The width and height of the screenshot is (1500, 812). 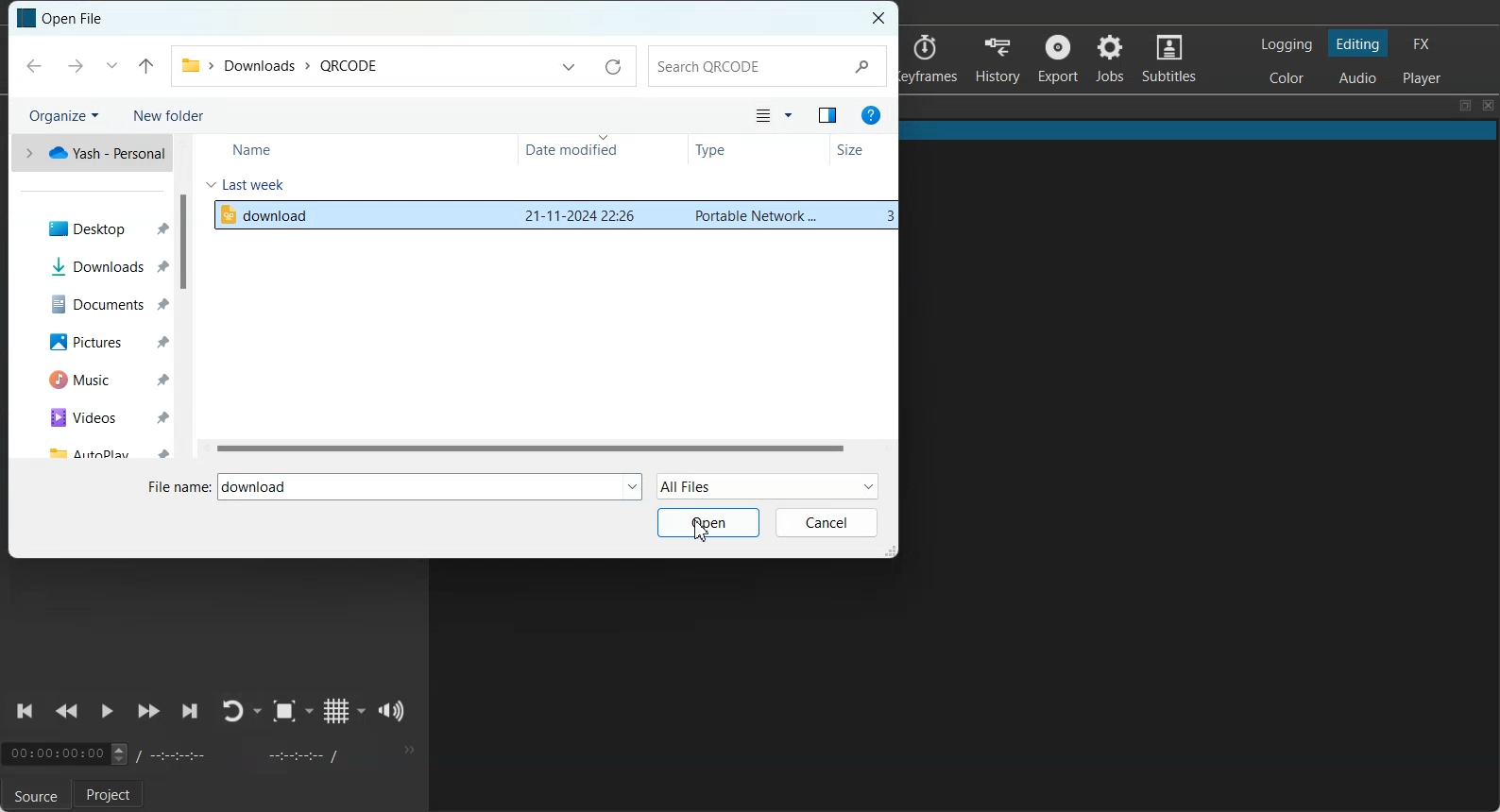 I want to click on Skip to previous point, so click(x=26, y=711).